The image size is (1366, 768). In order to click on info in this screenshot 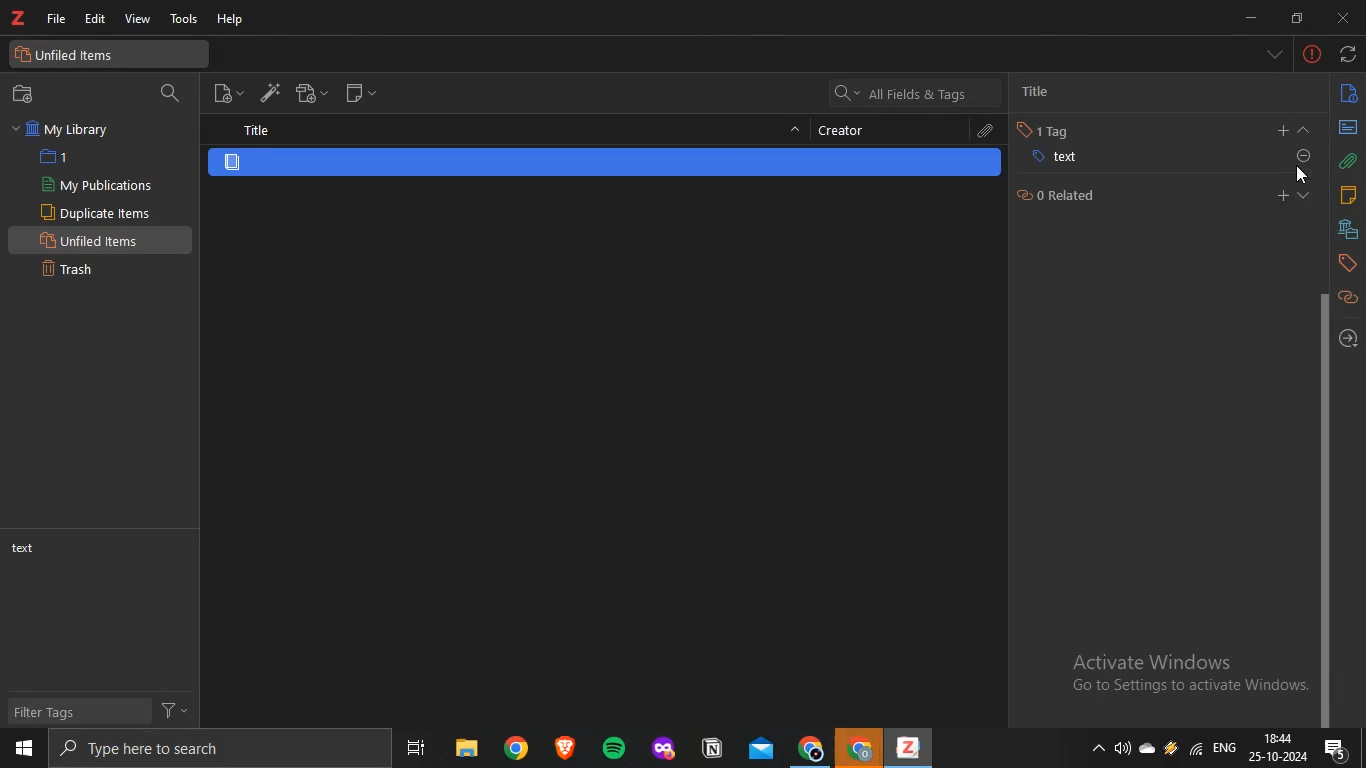, I will do `click(1350, 94)`.